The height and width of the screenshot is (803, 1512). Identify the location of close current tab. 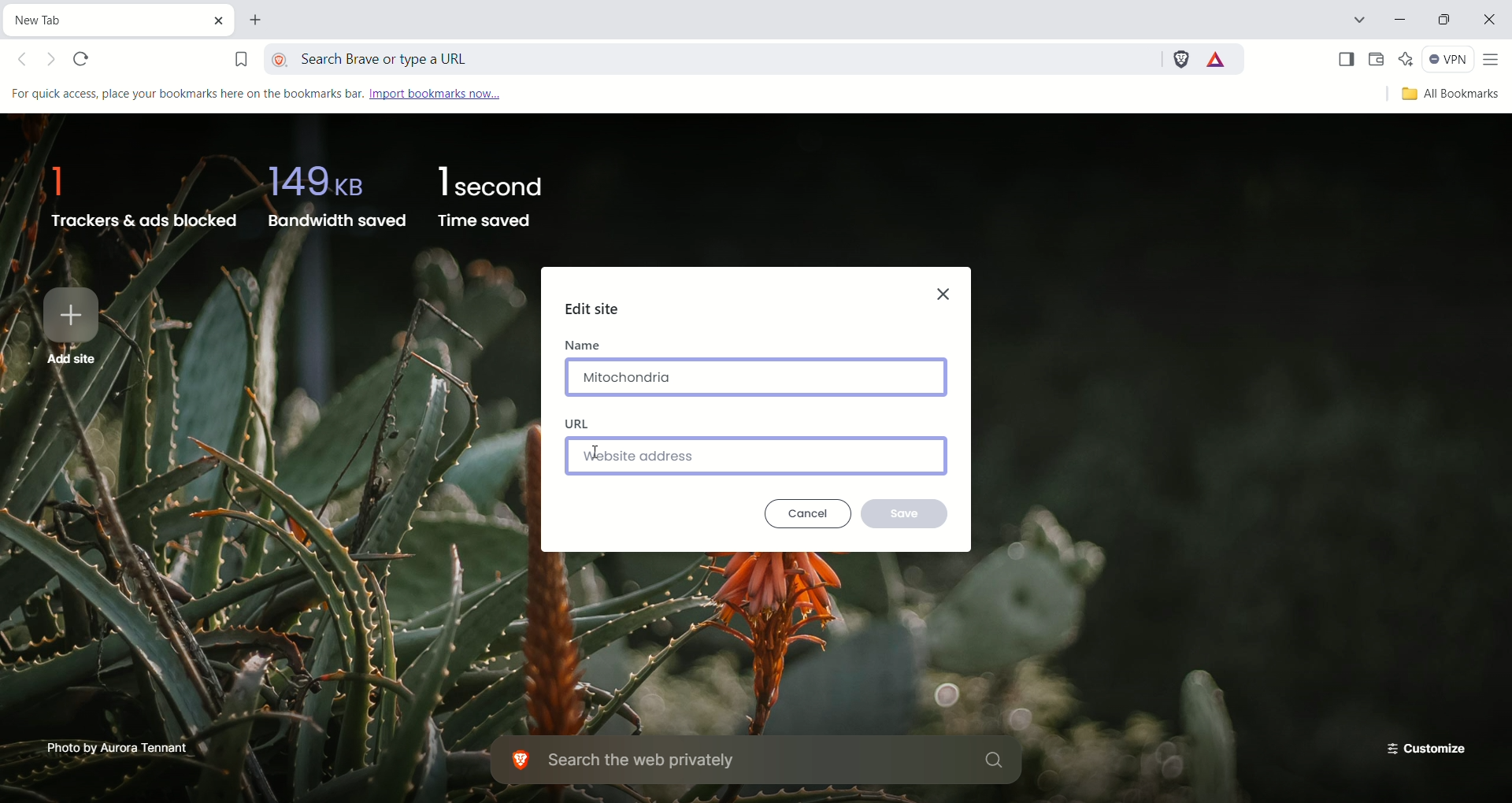
(223, 20).